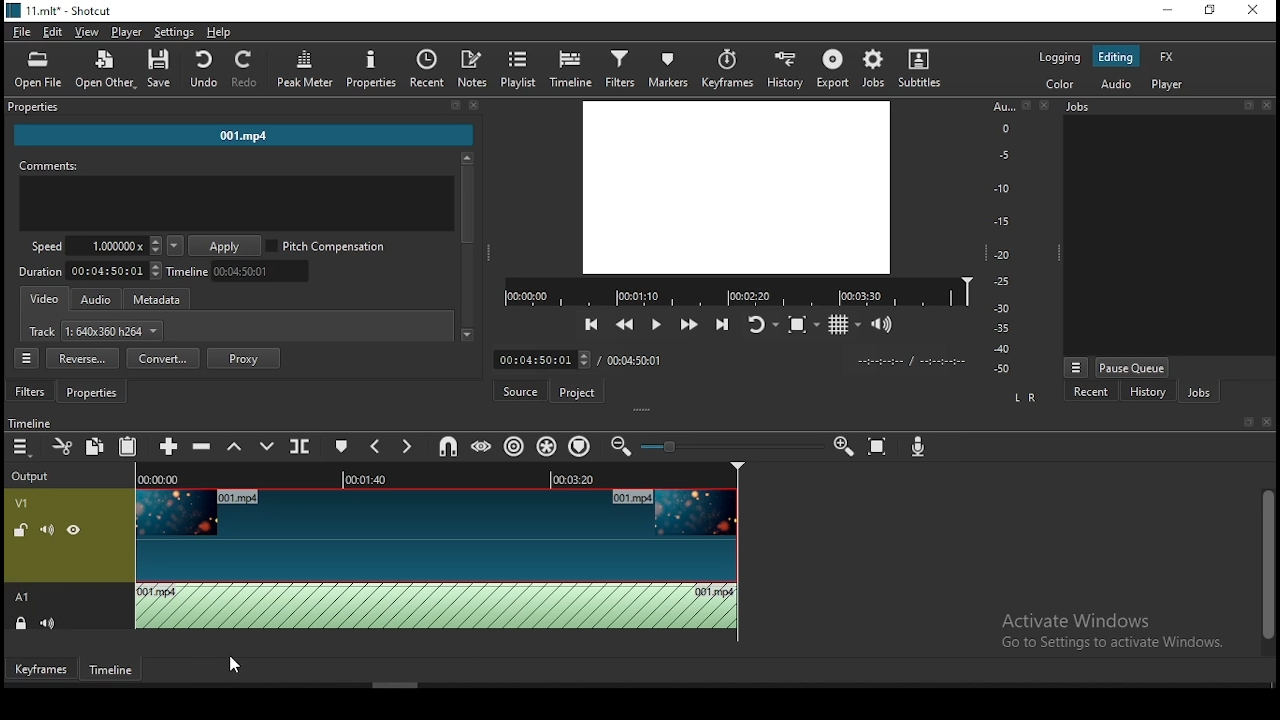  I want to click on editing, so click(1115, 56).